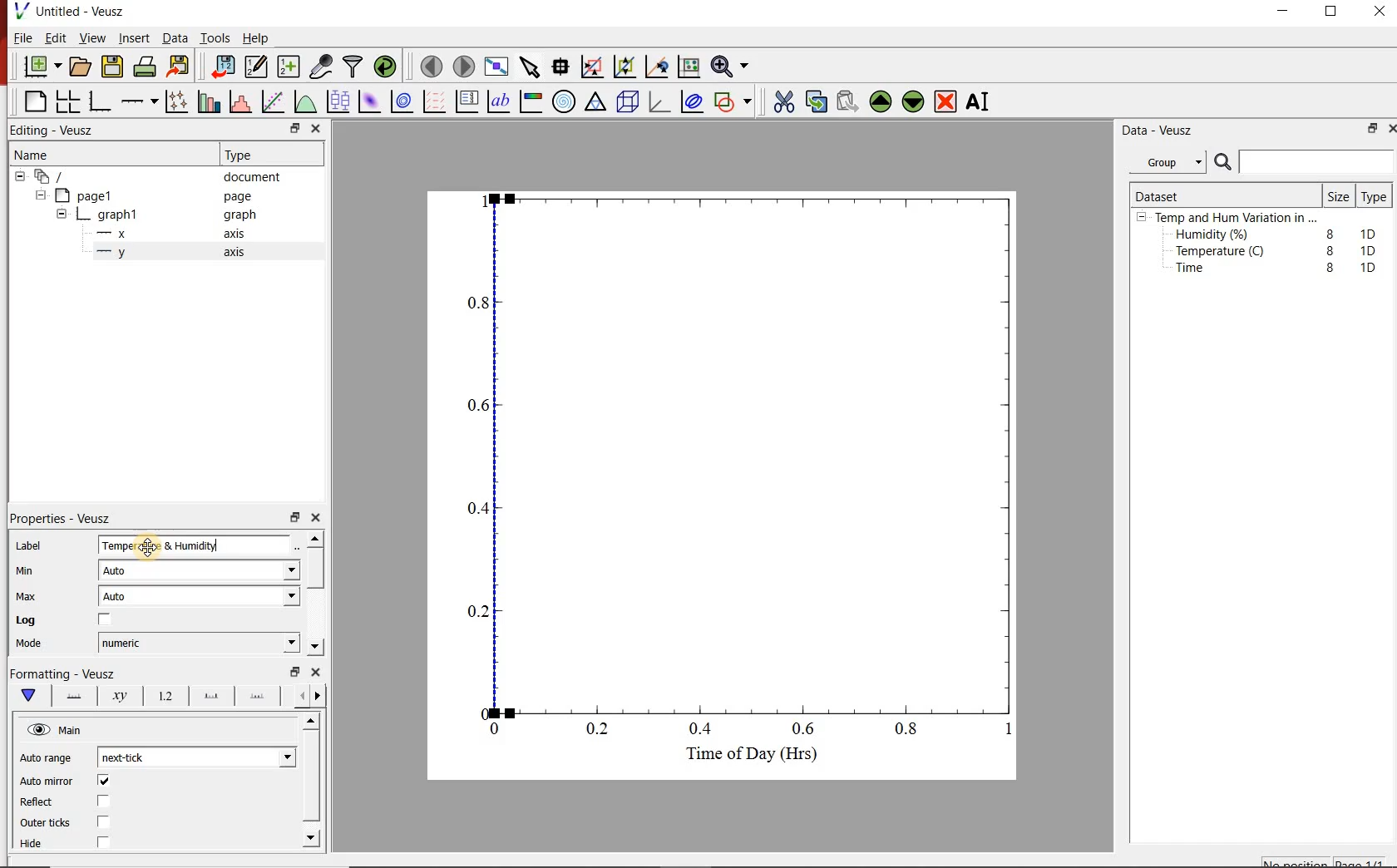 The height and width of the screenshot is (868, 1397). I want to click on 1, so click(481, 200).